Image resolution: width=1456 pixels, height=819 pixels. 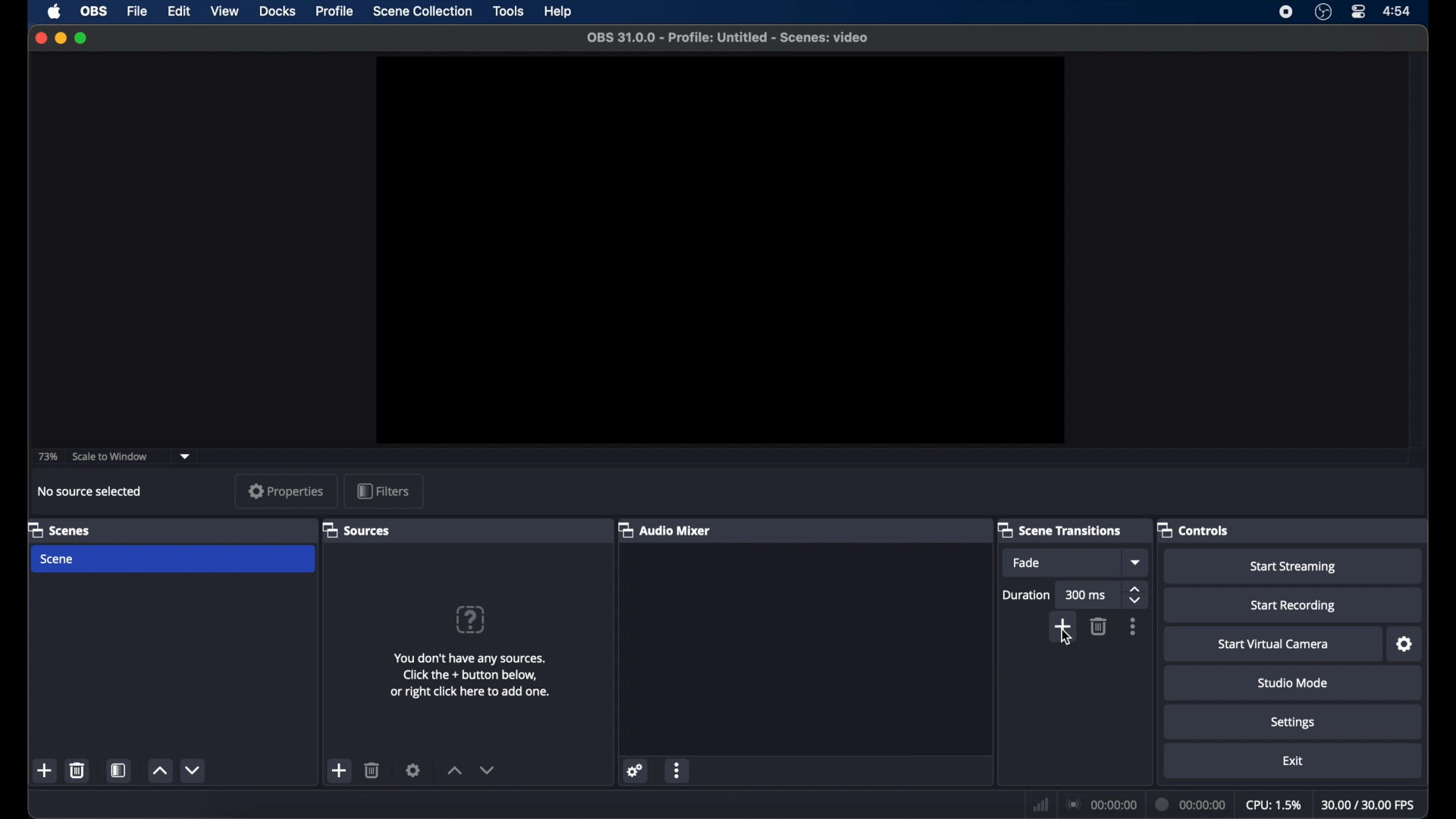 What do you see at coordinates (1294, 607) in the screenshot?
I see `start recording` at bounding box center [1294, 607].